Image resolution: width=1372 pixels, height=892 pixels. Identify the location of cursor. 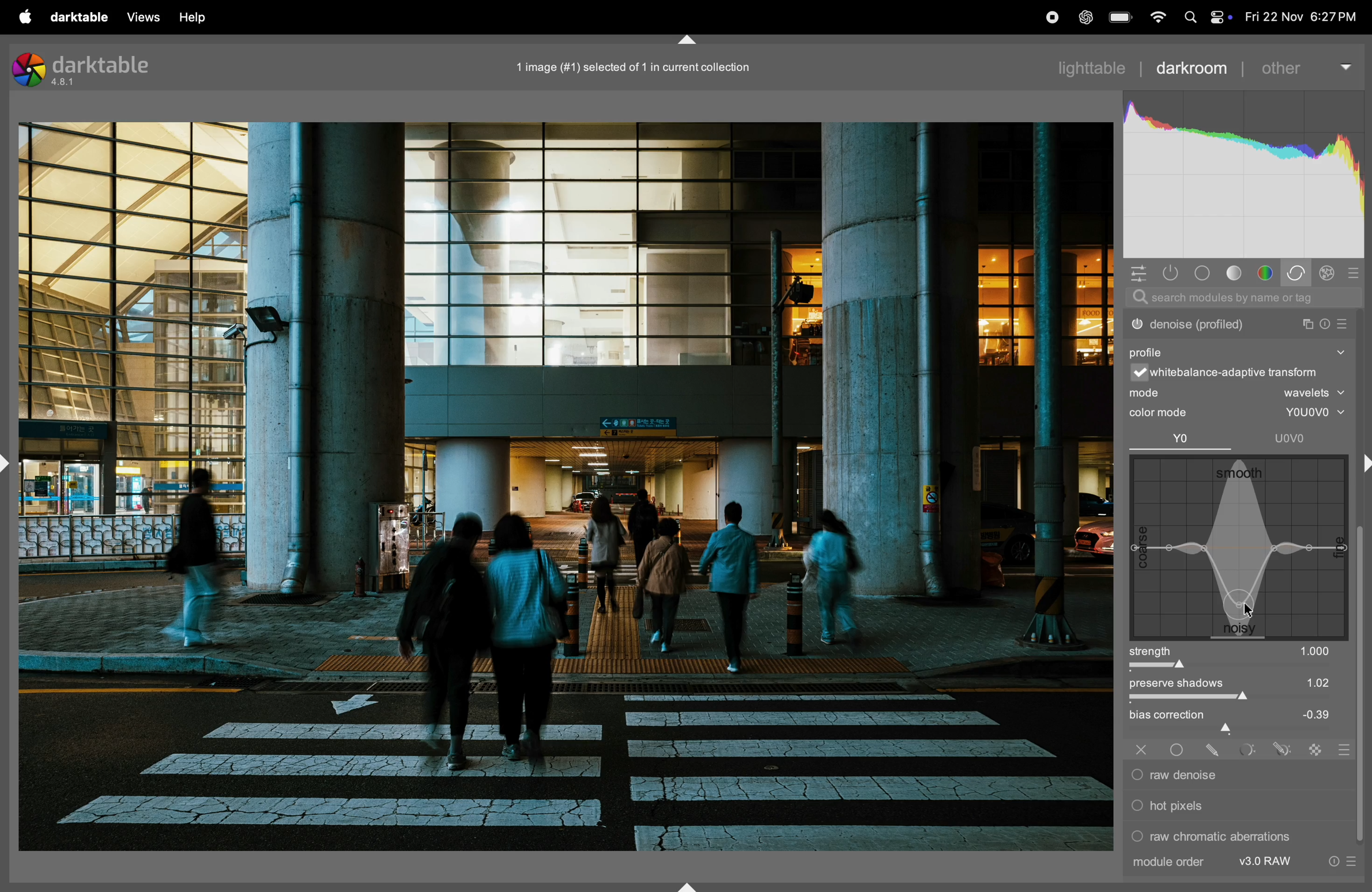
(1253, 606).